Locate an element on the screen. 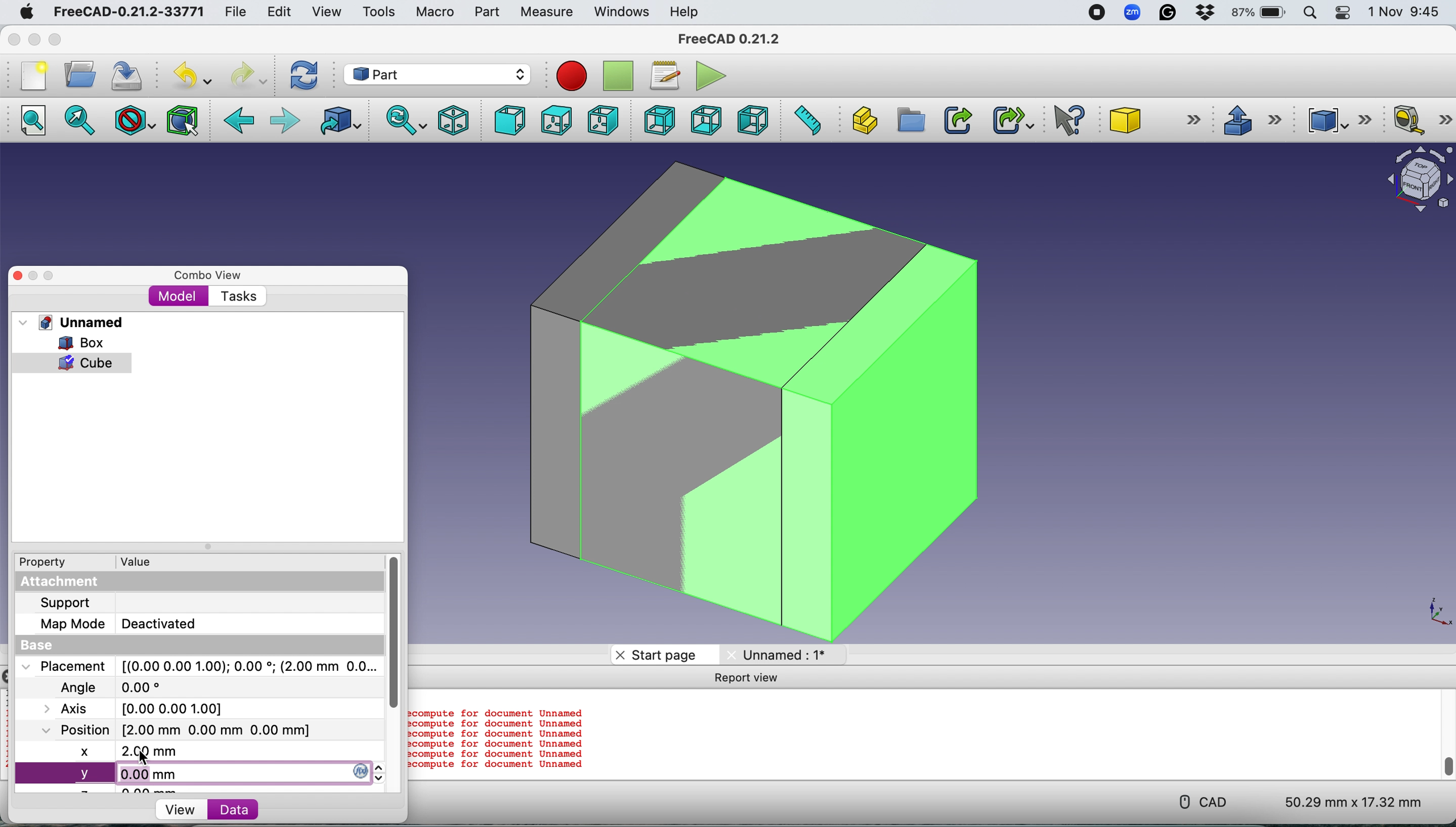 Image resolution: width=1456 pixels, height=827 pixels. Bounding box is located at coordinates (184, 119).